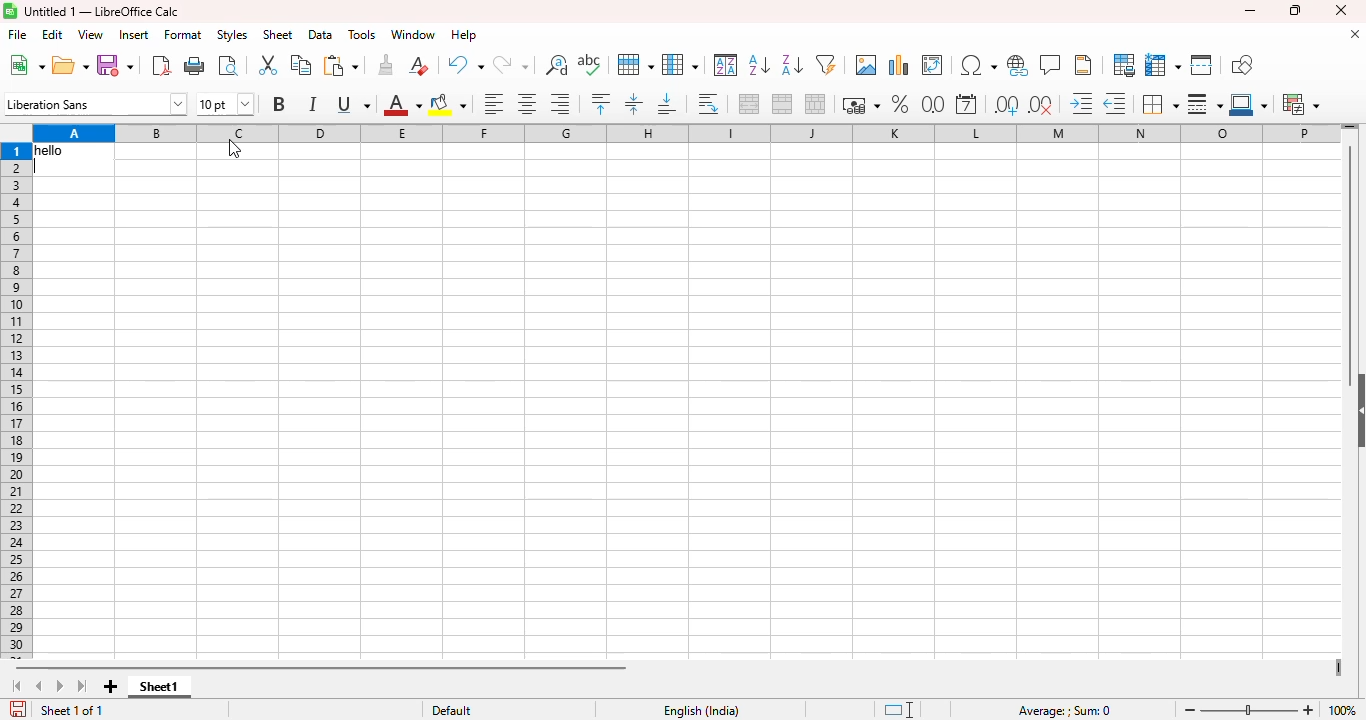 Image resolution: width=1366 pixels, height=720 pixels. Describe the element at coordinates (933, 65) in the screenshot. I see `insert or edit pivot table` at that location.